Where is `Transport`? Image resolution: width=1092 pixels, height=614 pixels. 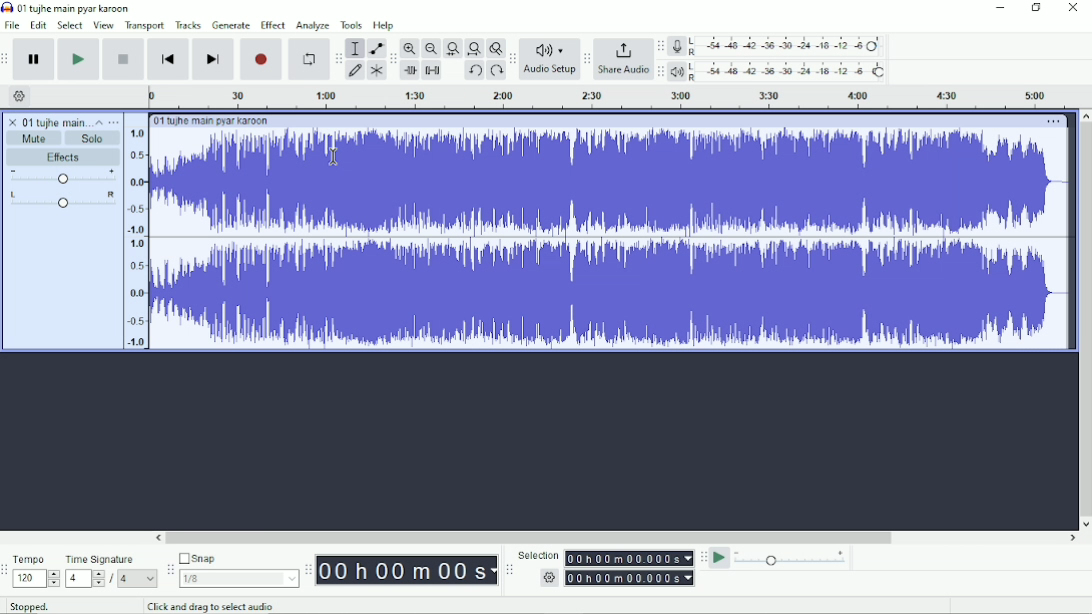 Transport is located at coordinates (145, 26).